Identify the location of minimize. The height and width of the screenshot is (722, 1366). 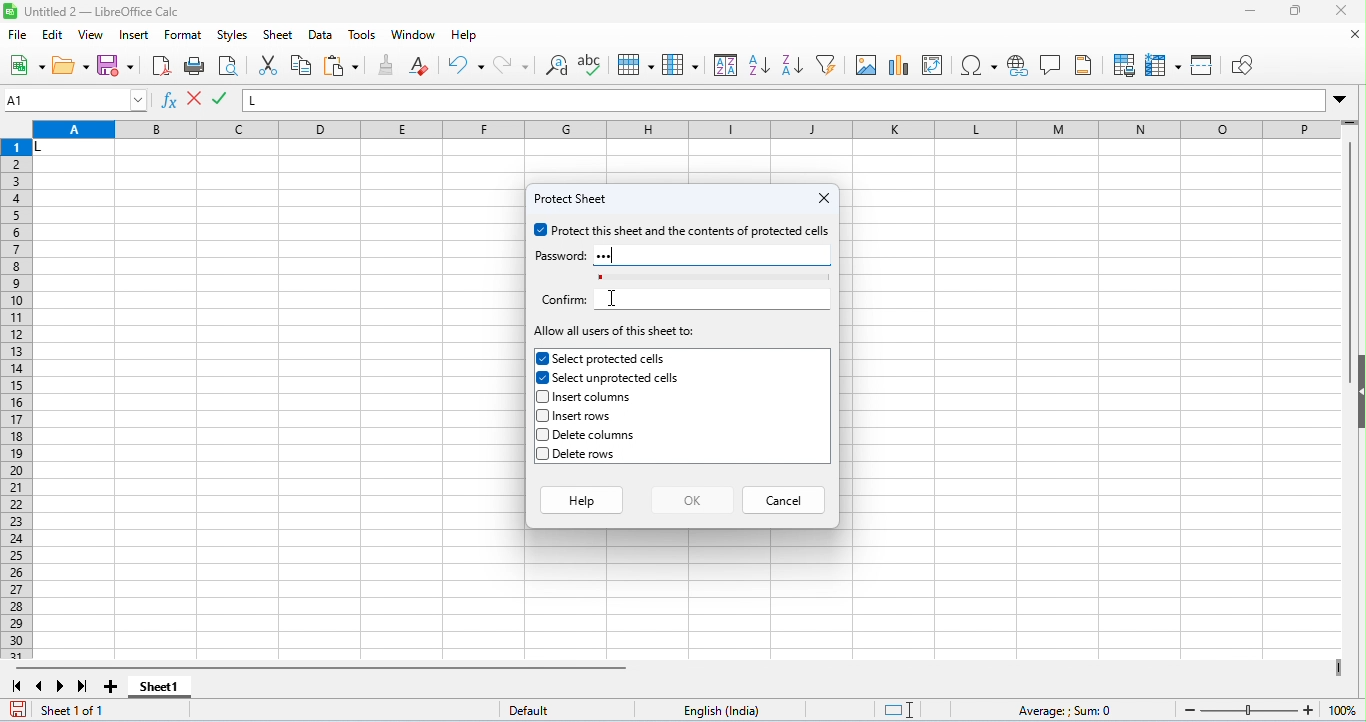
(1250, 12).